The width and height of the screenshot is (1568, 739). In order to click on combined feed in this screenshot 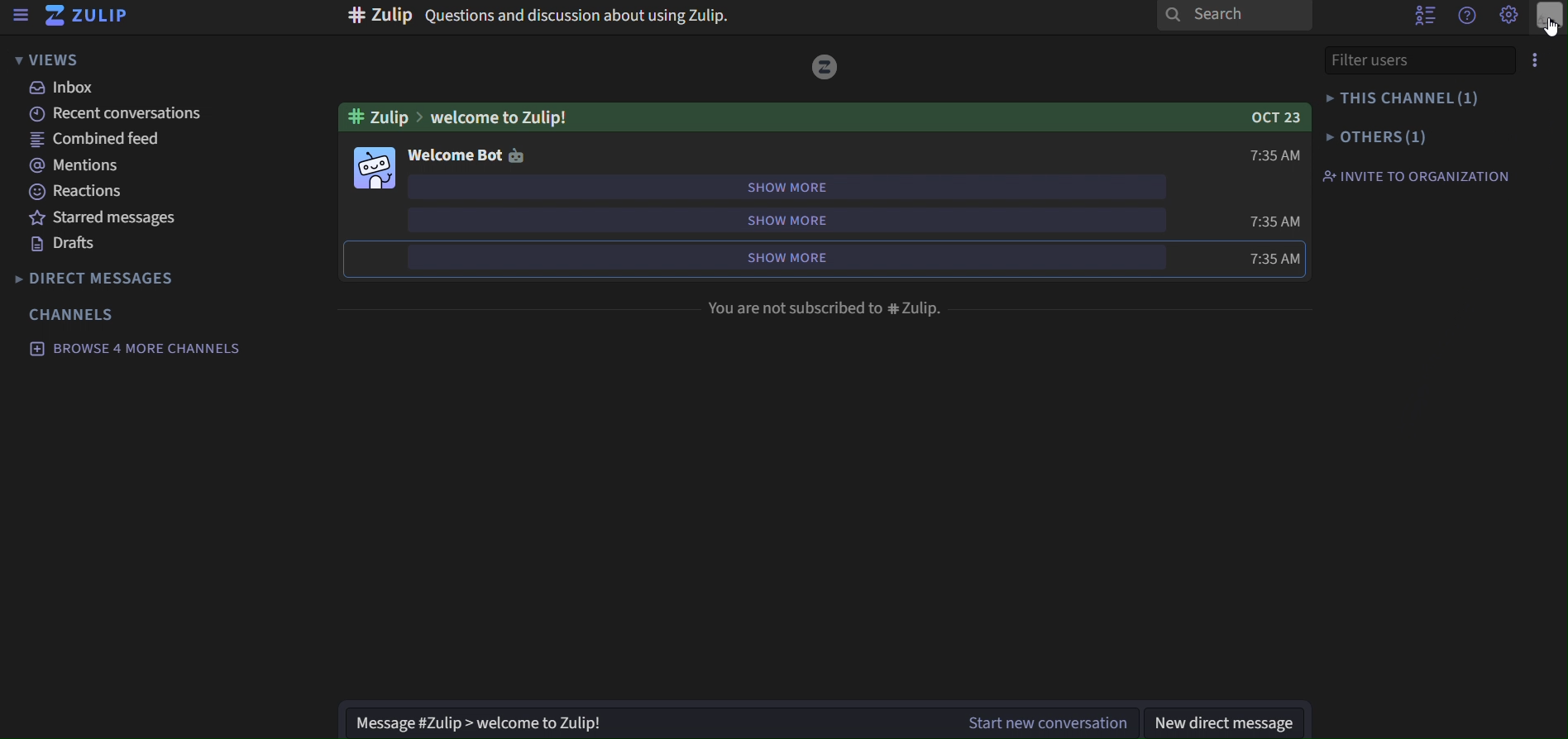, I will do `click(131, 141)`.